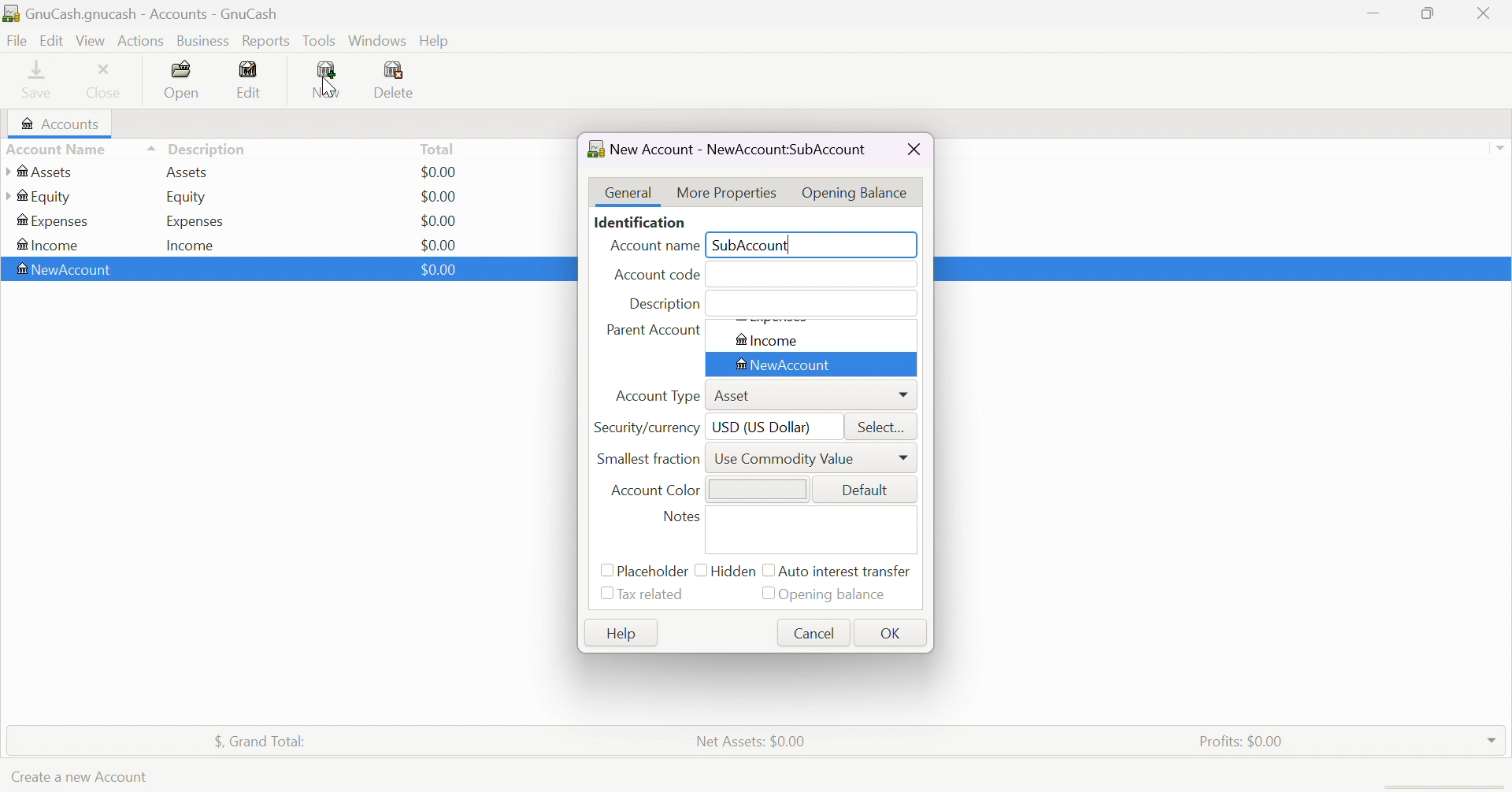 Image resolution: width=1512 pixels, height=792 pixels. Describe the element at coordinates (655, 492) in the screenshot. I see `Account Color` at that location.